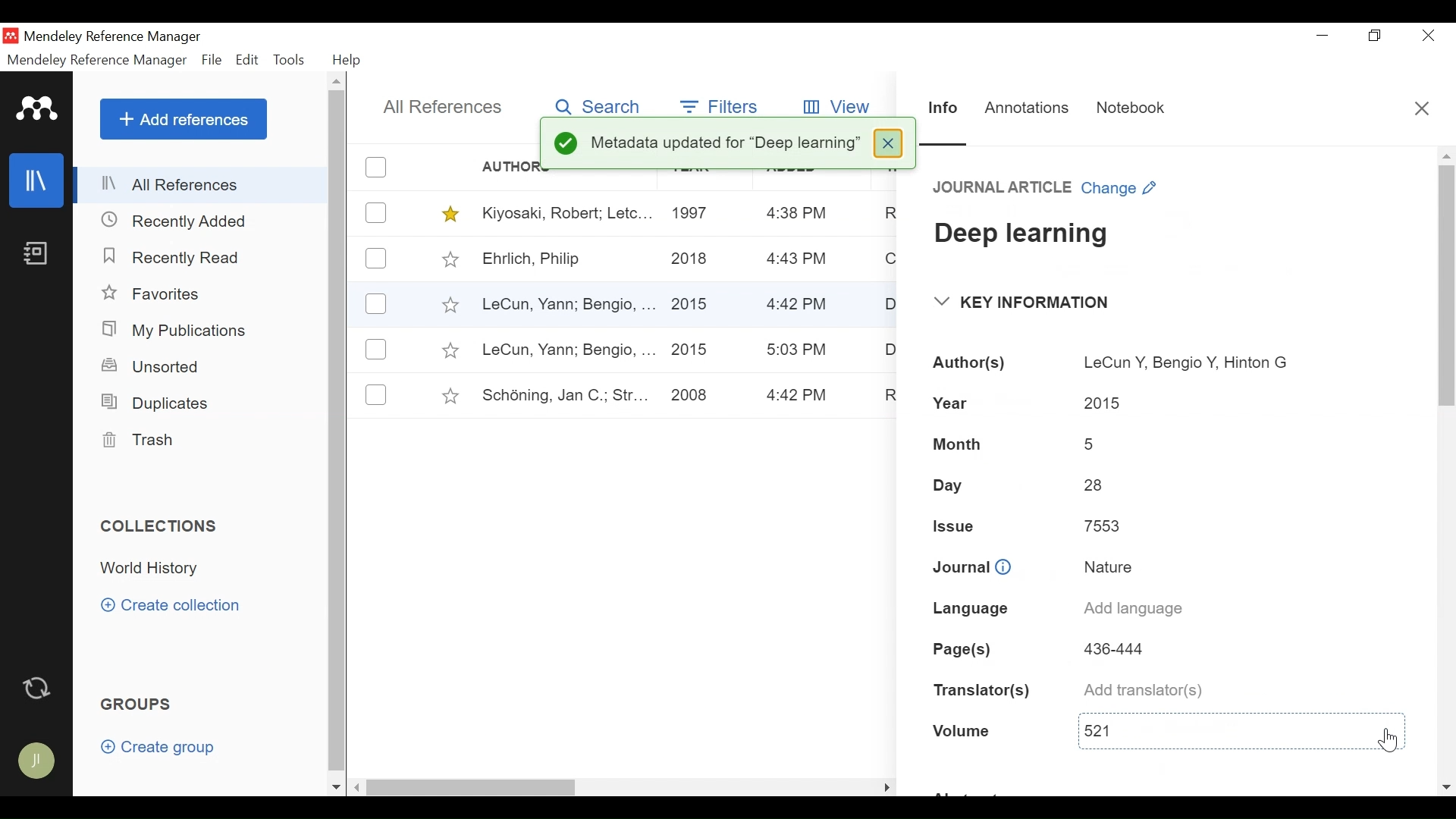  Describe the element at coordinates (1123, 646) in the screenshot. I see `436-444` at that location.